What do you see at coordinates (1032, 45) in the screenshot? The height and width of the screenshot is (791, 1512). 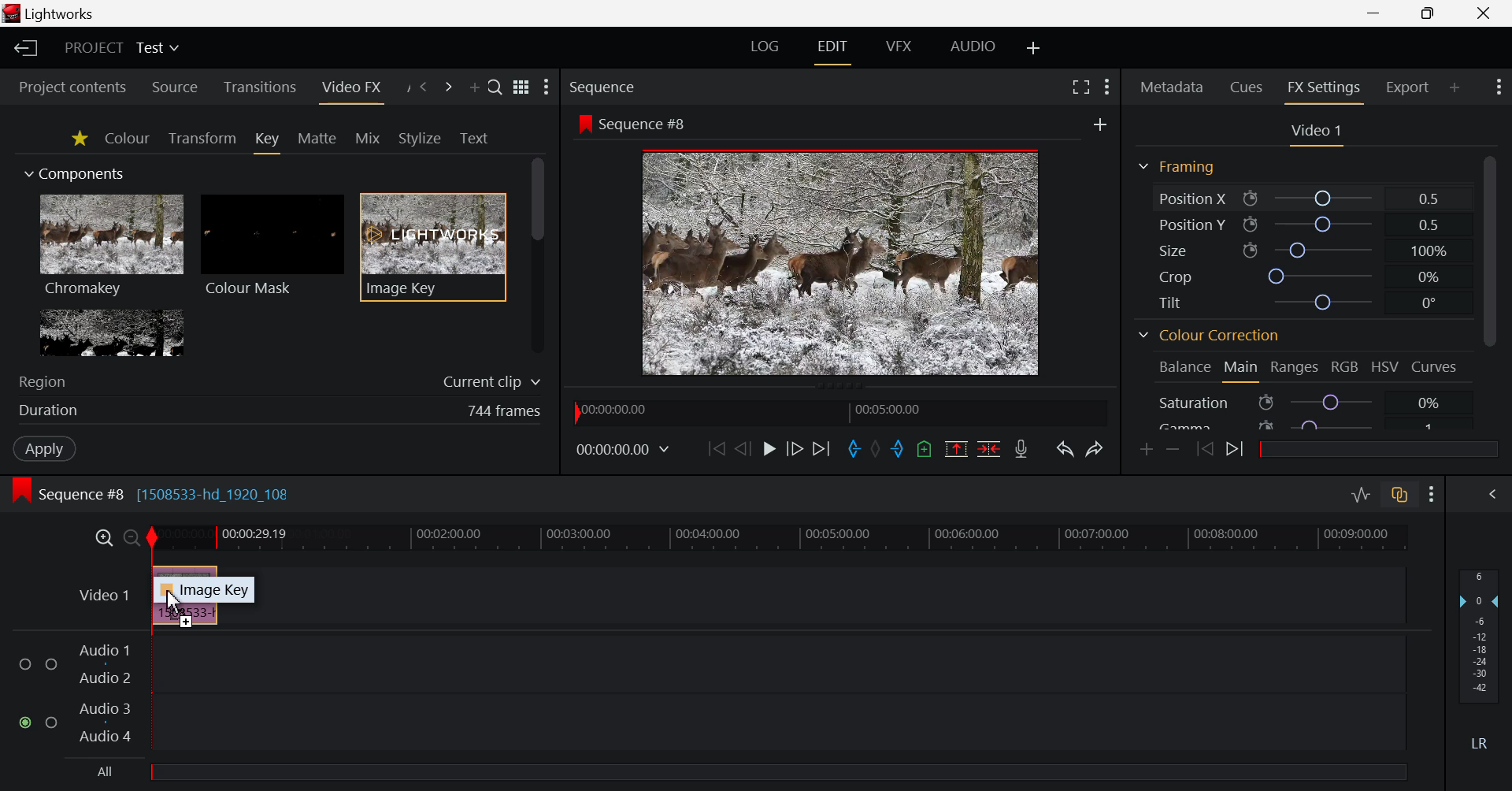 I see `Add Layout` at bounding box center [1032, 45].